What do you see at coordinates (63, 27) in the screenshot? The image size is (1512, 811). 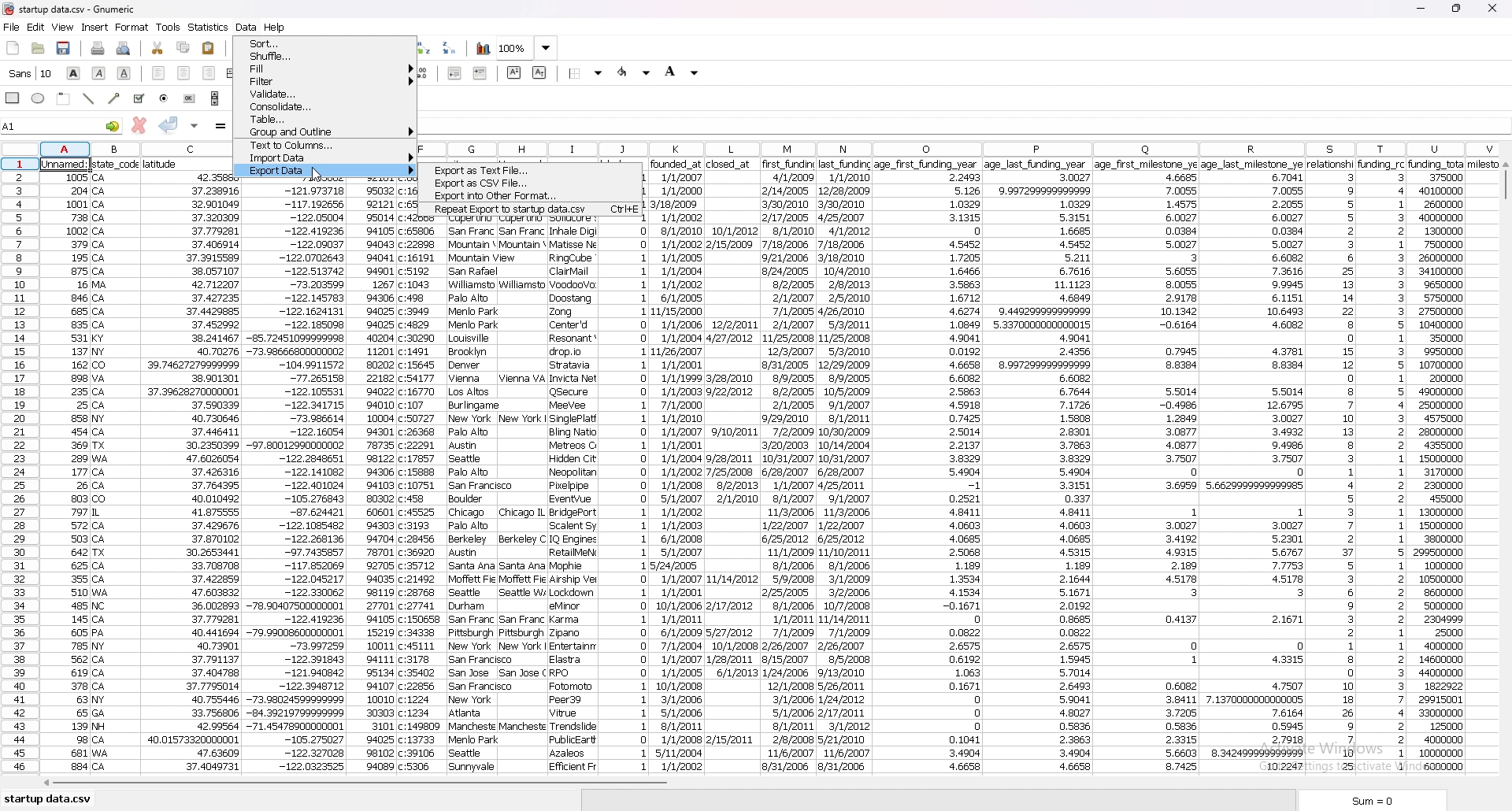 I see `view` at bounding box center [63, 27].